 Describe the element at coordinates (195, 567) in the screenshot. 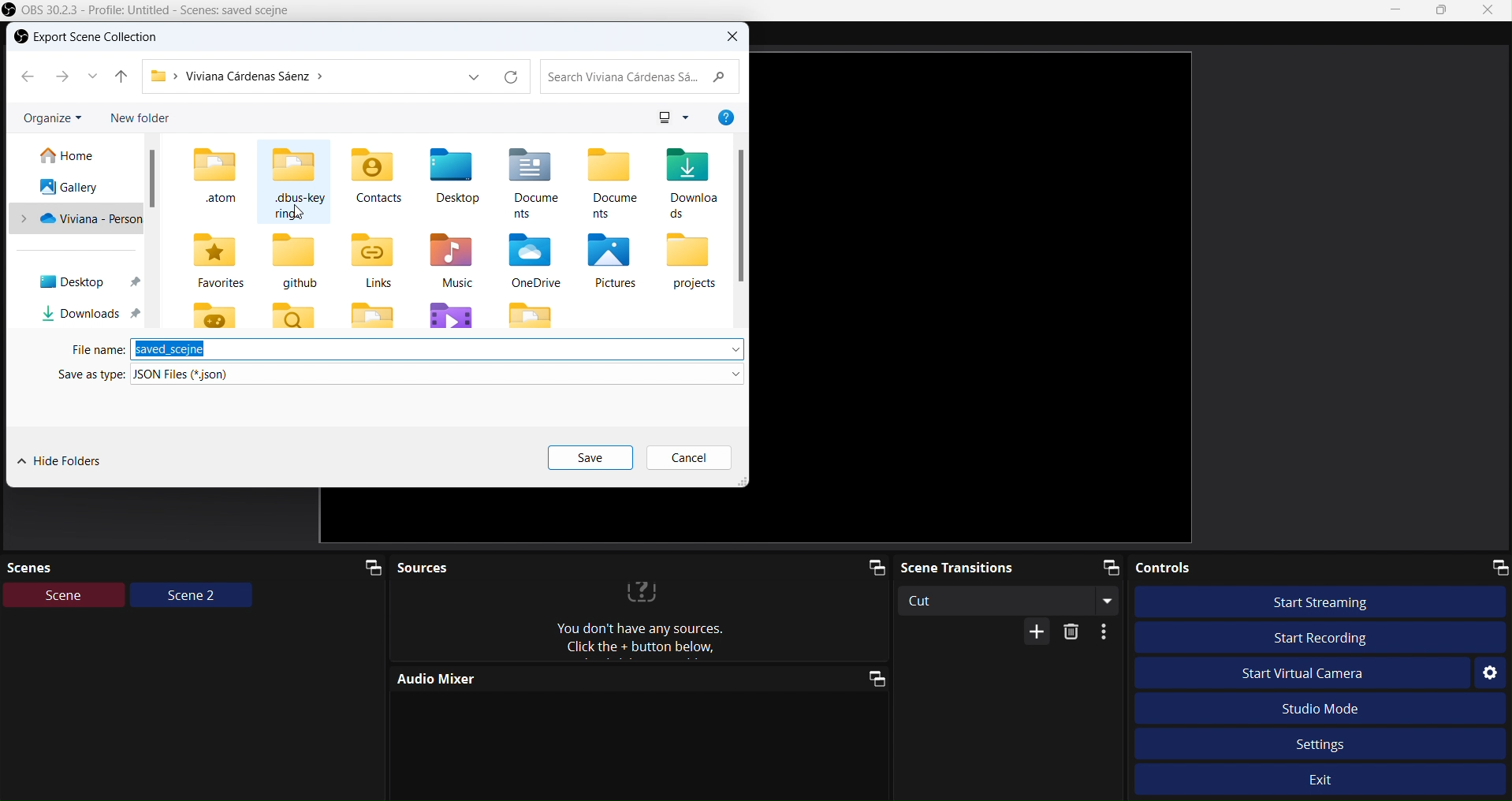

I see `Scenes` at that location.